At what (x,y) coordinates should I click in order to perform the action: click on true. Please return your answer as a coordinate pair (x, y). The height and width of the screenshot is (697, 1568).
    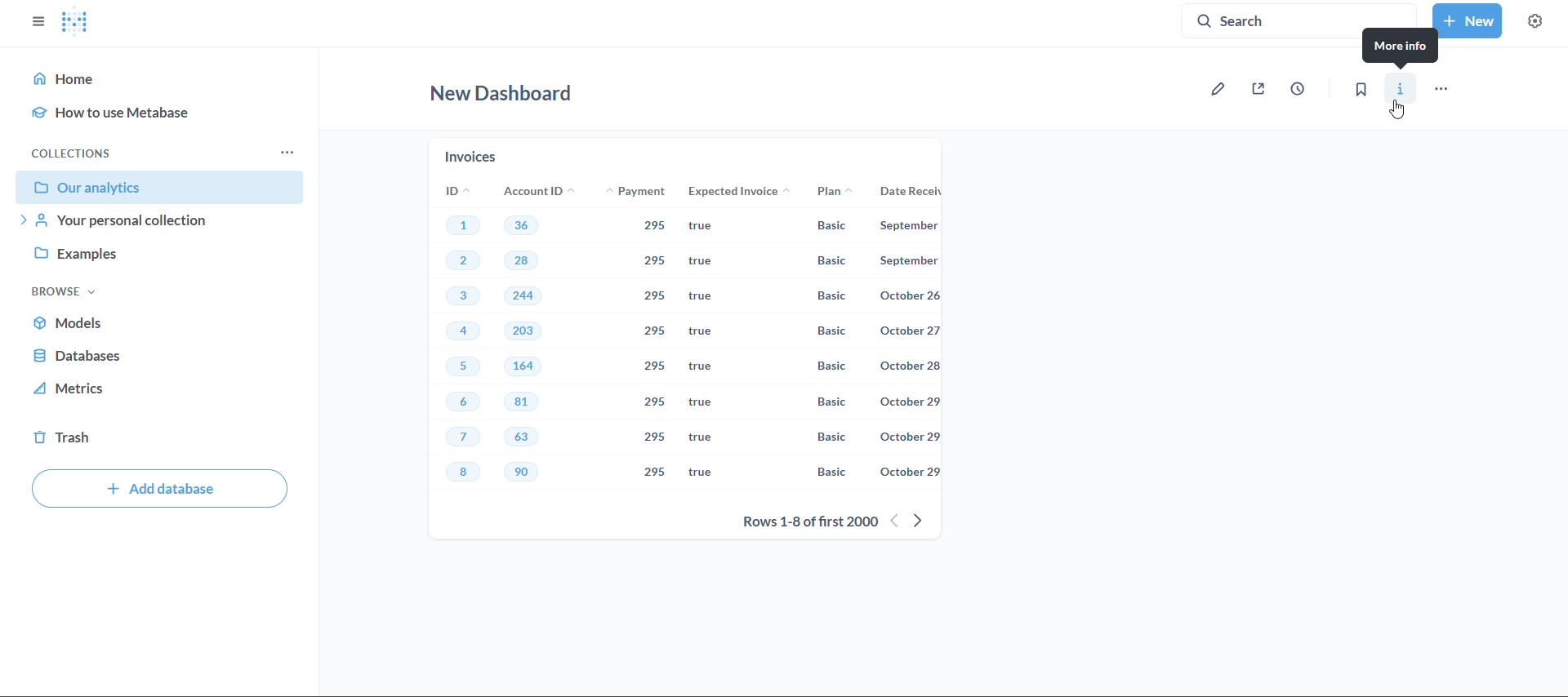
    Looking at the image, I should click on (710, 261).